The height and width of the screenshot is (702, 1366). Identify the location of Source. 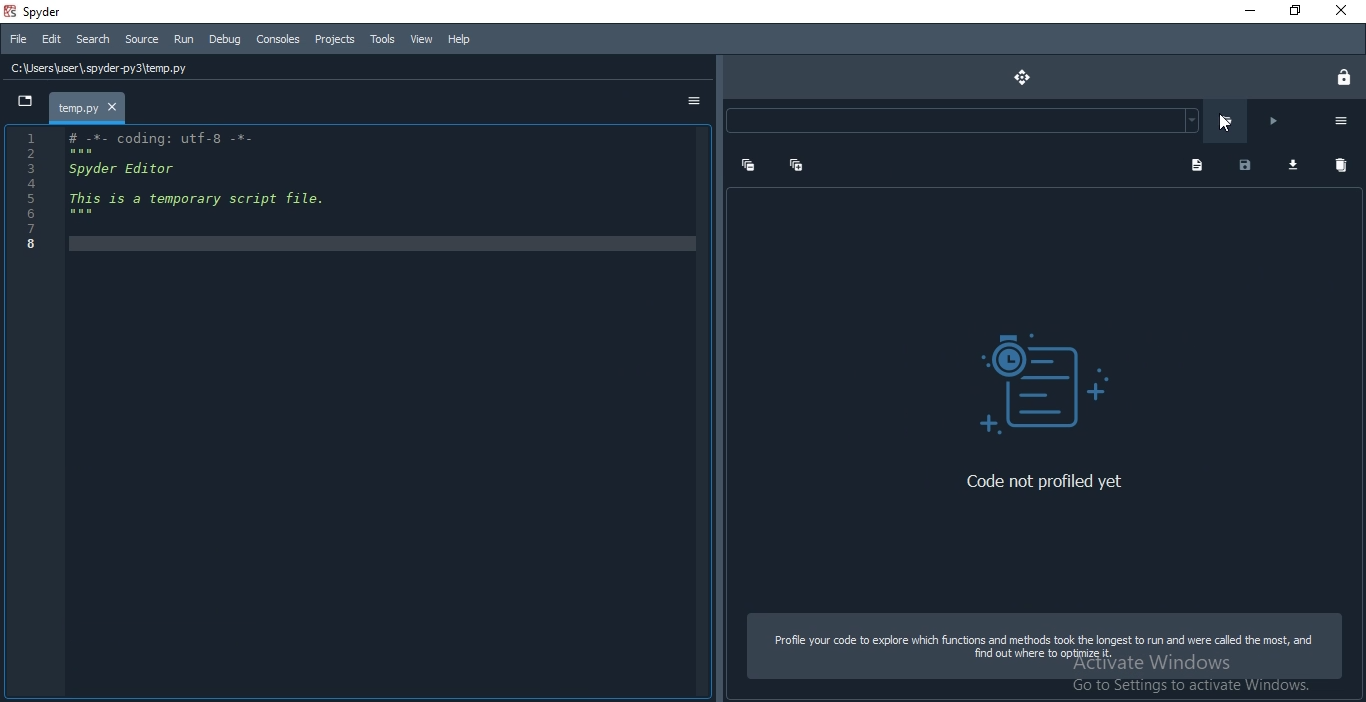
(142, 40).